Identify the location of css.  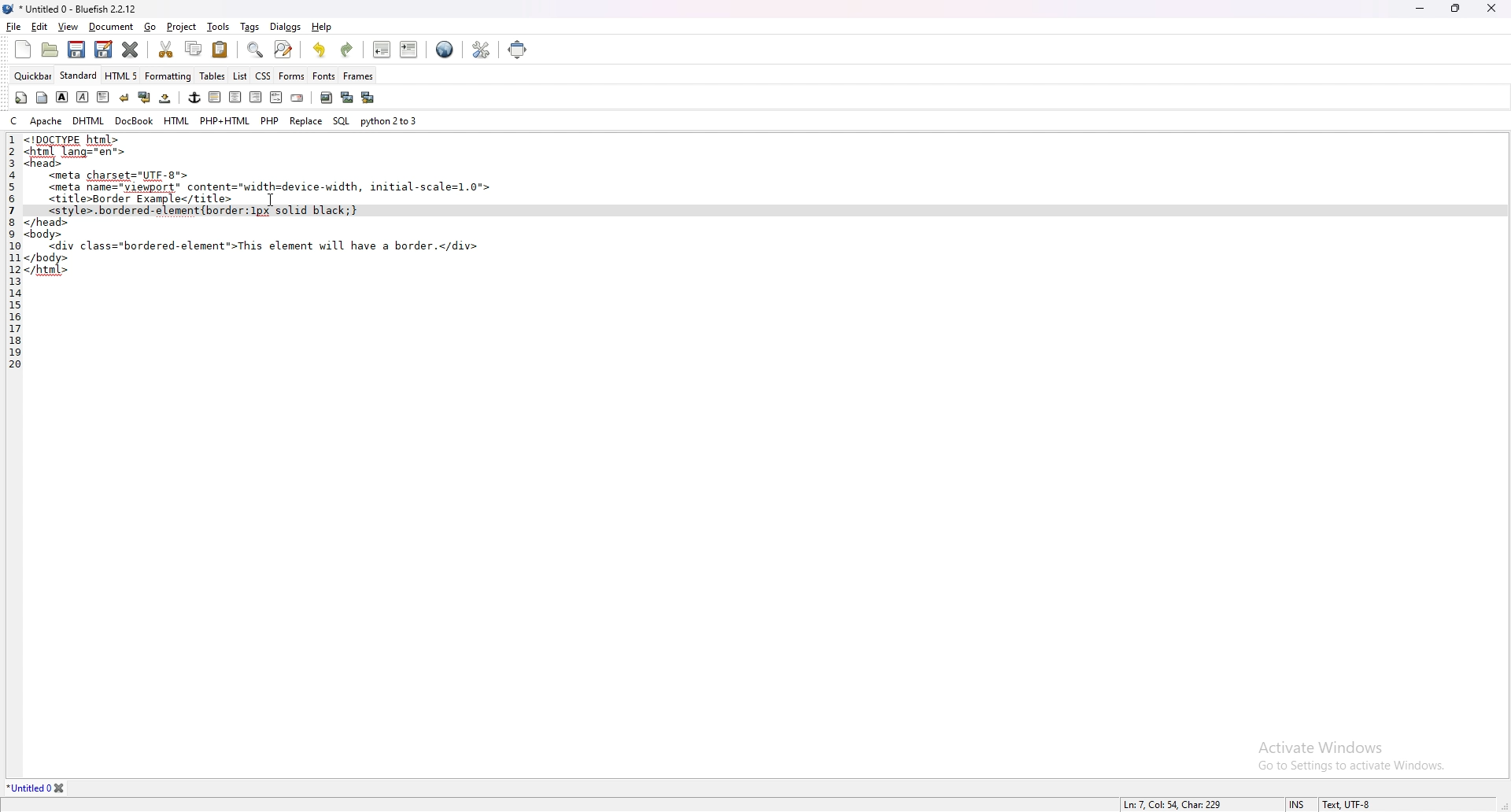
(264, 76).